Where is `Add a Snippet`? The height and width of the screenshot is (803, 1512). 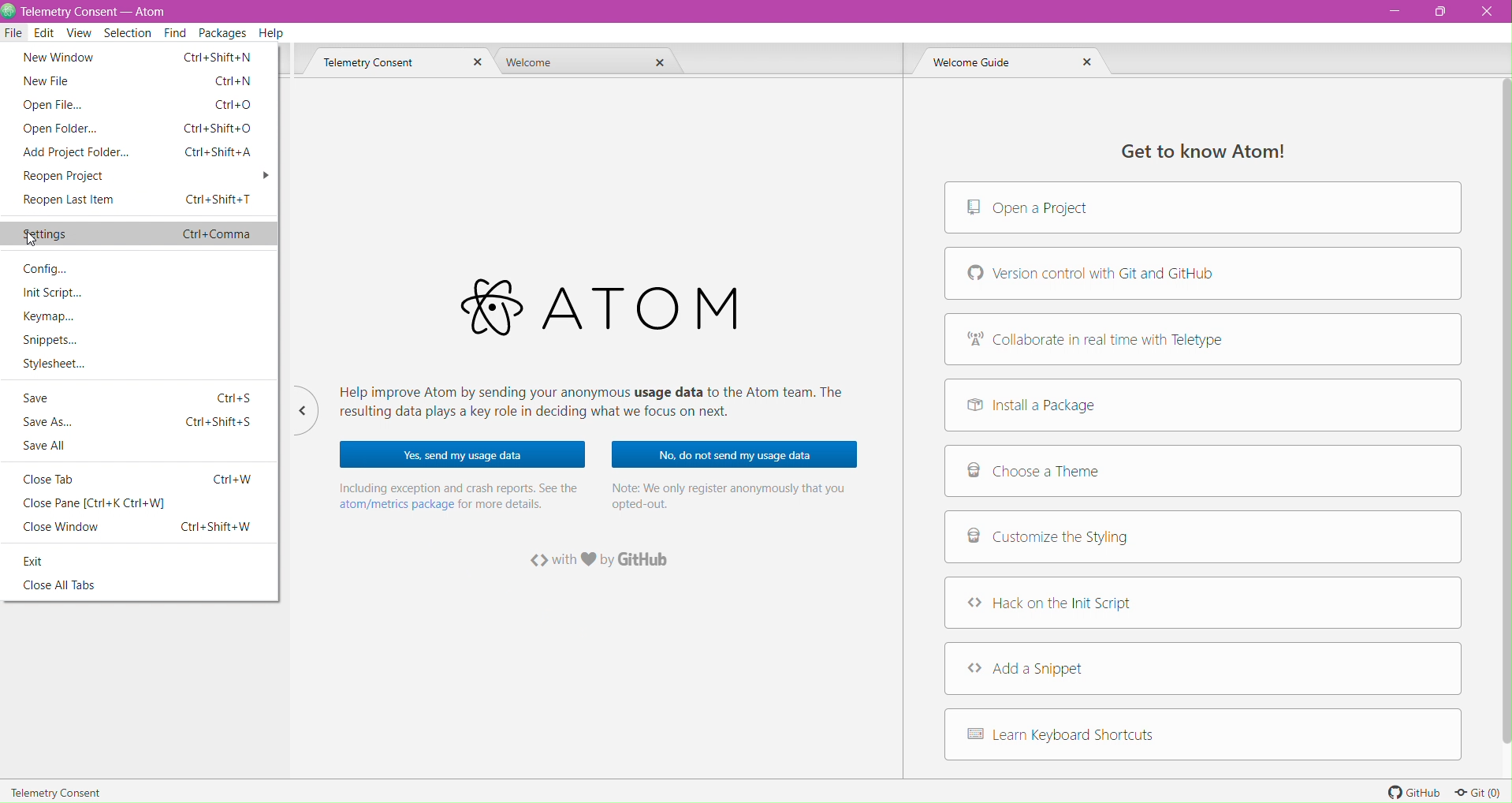
Add a Snippet is located at coordinates (1204, 667).